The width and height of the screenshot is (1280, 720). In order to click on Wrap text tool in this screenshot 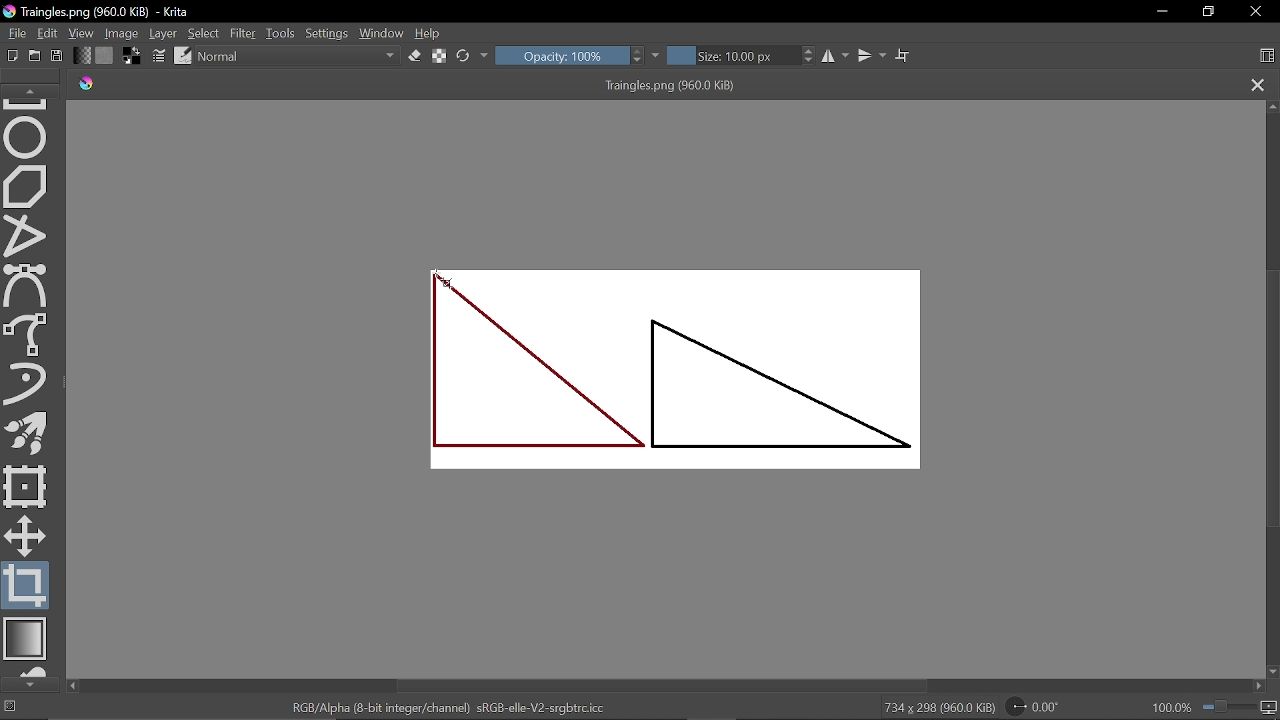, I will do `click(903, 55)`.